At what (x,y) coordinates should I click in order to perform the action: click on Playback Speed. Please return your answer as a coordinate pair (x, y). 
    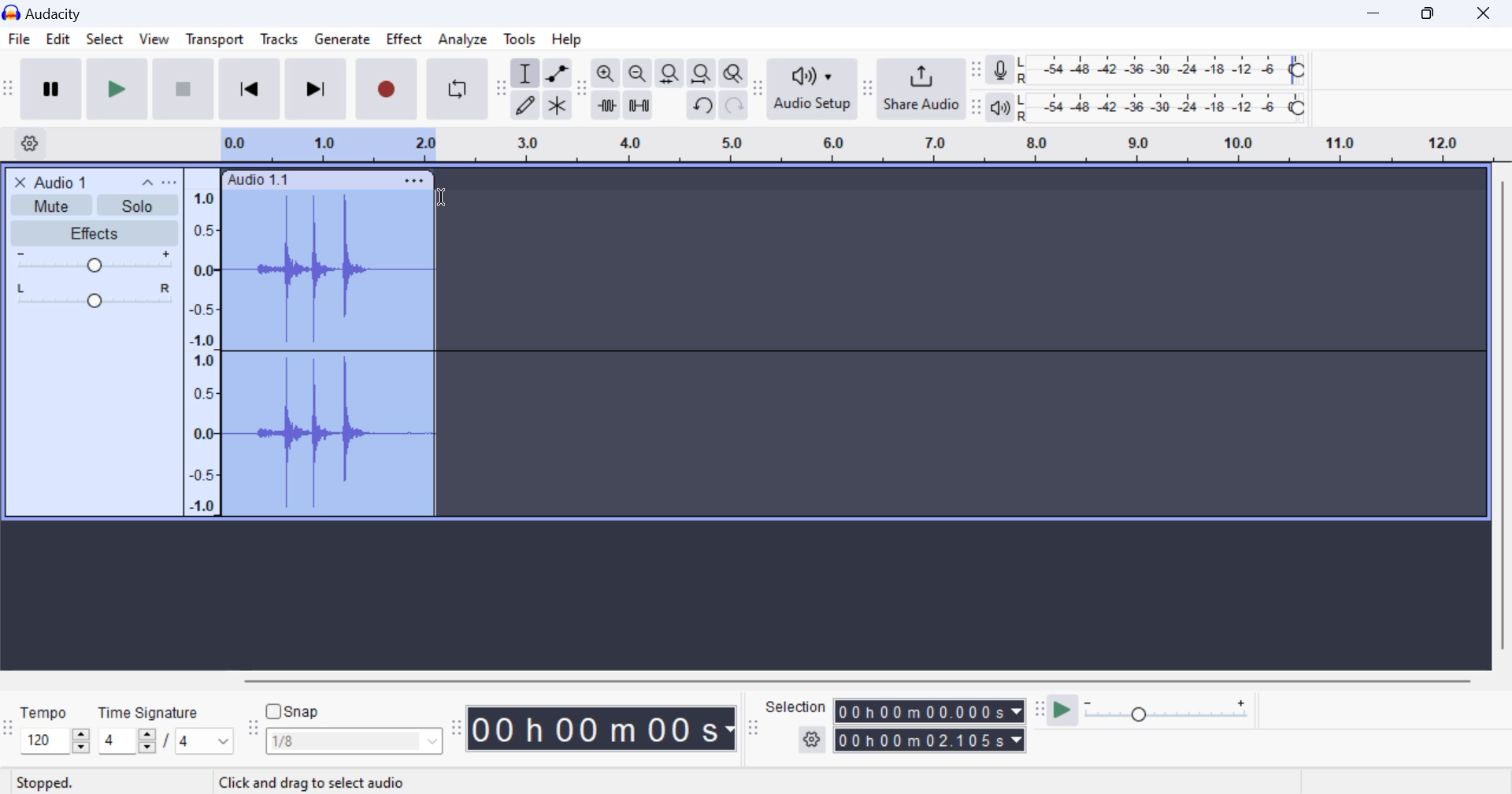
    Looking at the image, I should click on (1176, 712).